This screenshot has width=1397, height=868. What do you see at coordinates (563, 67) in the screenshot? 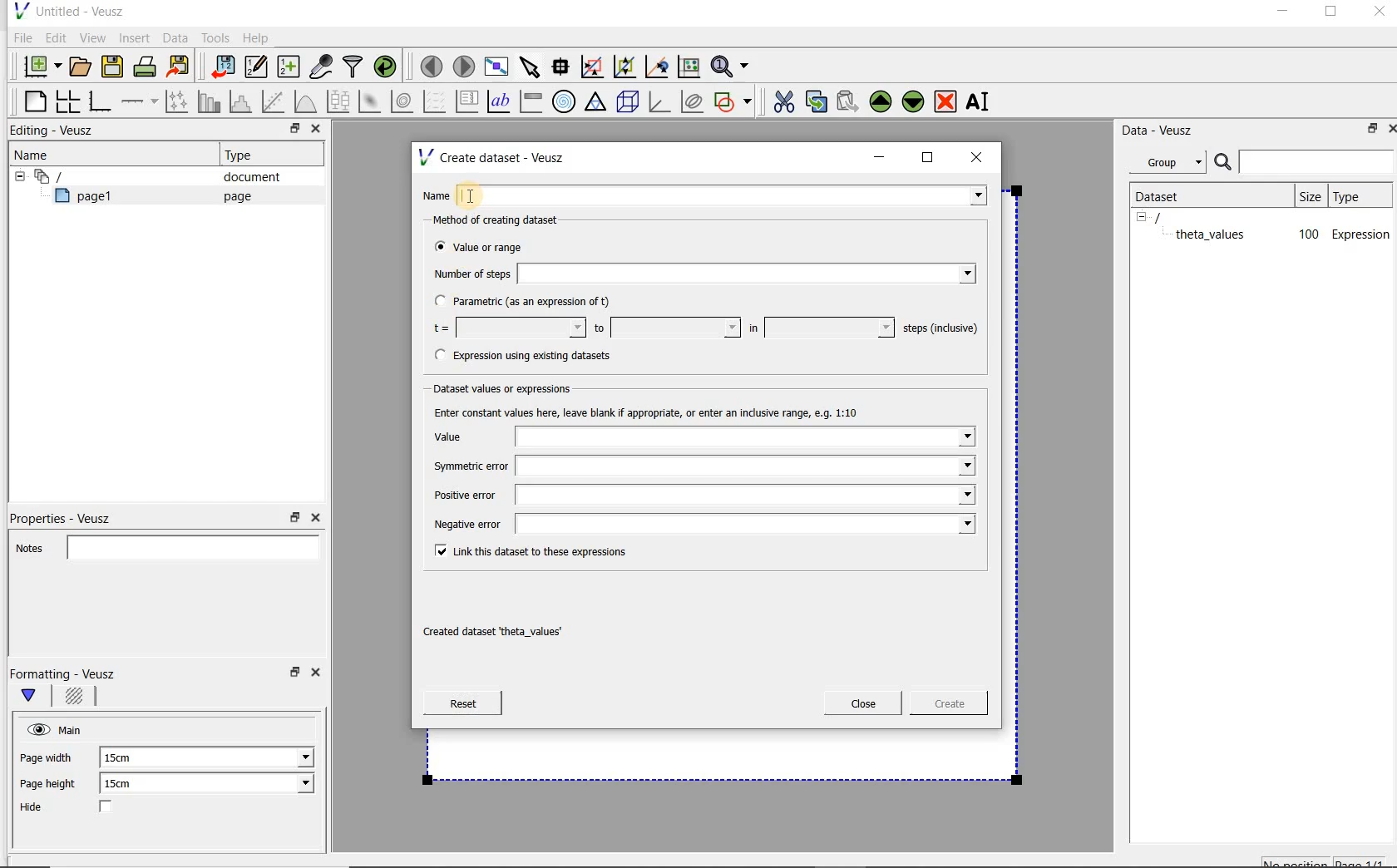
I see `Read data points on the graph` at bounding box center [563, 67].